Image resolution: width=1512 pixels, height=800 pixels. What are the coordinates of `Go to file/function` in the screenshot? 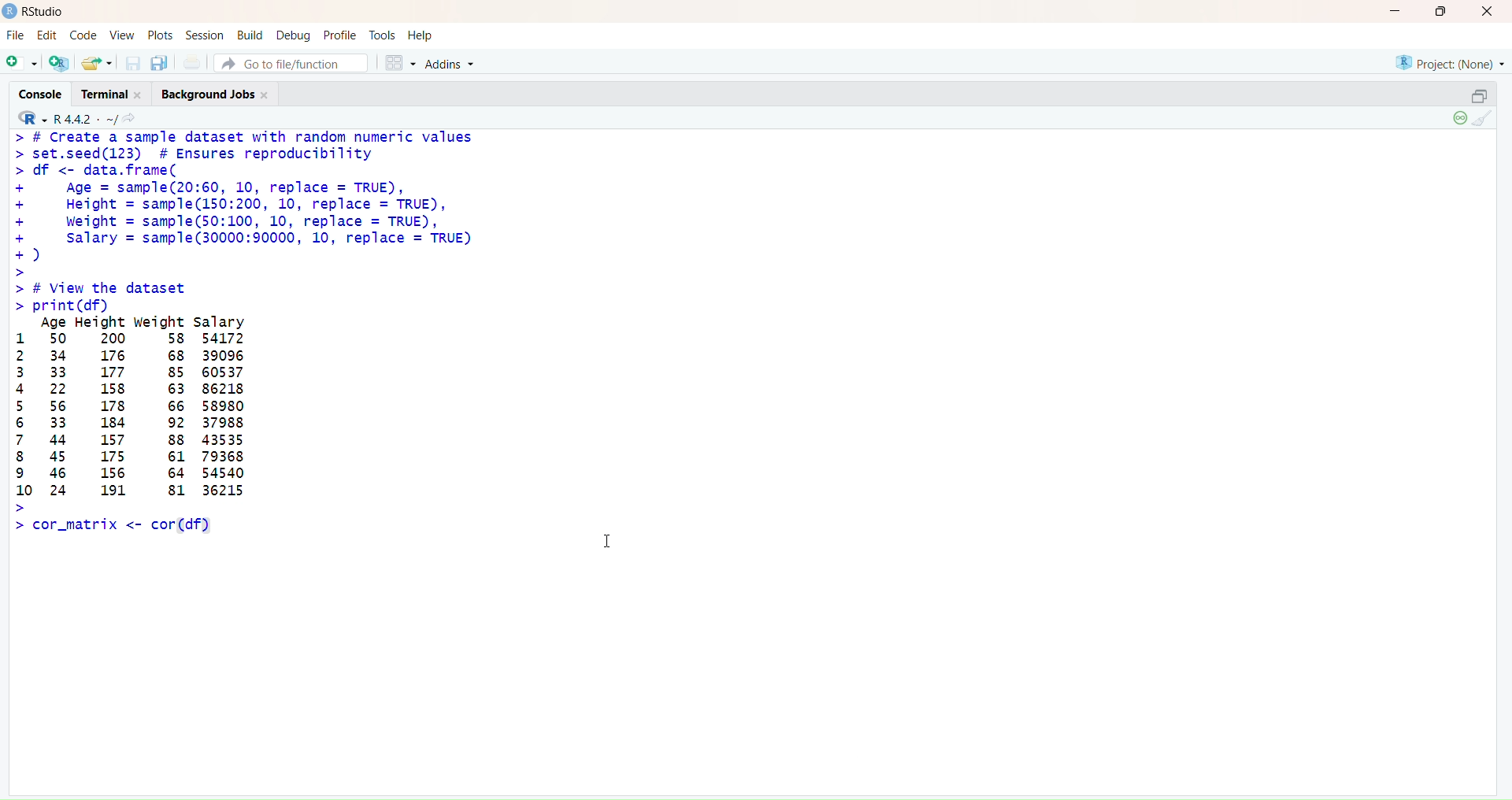 It's located at (290, 64).